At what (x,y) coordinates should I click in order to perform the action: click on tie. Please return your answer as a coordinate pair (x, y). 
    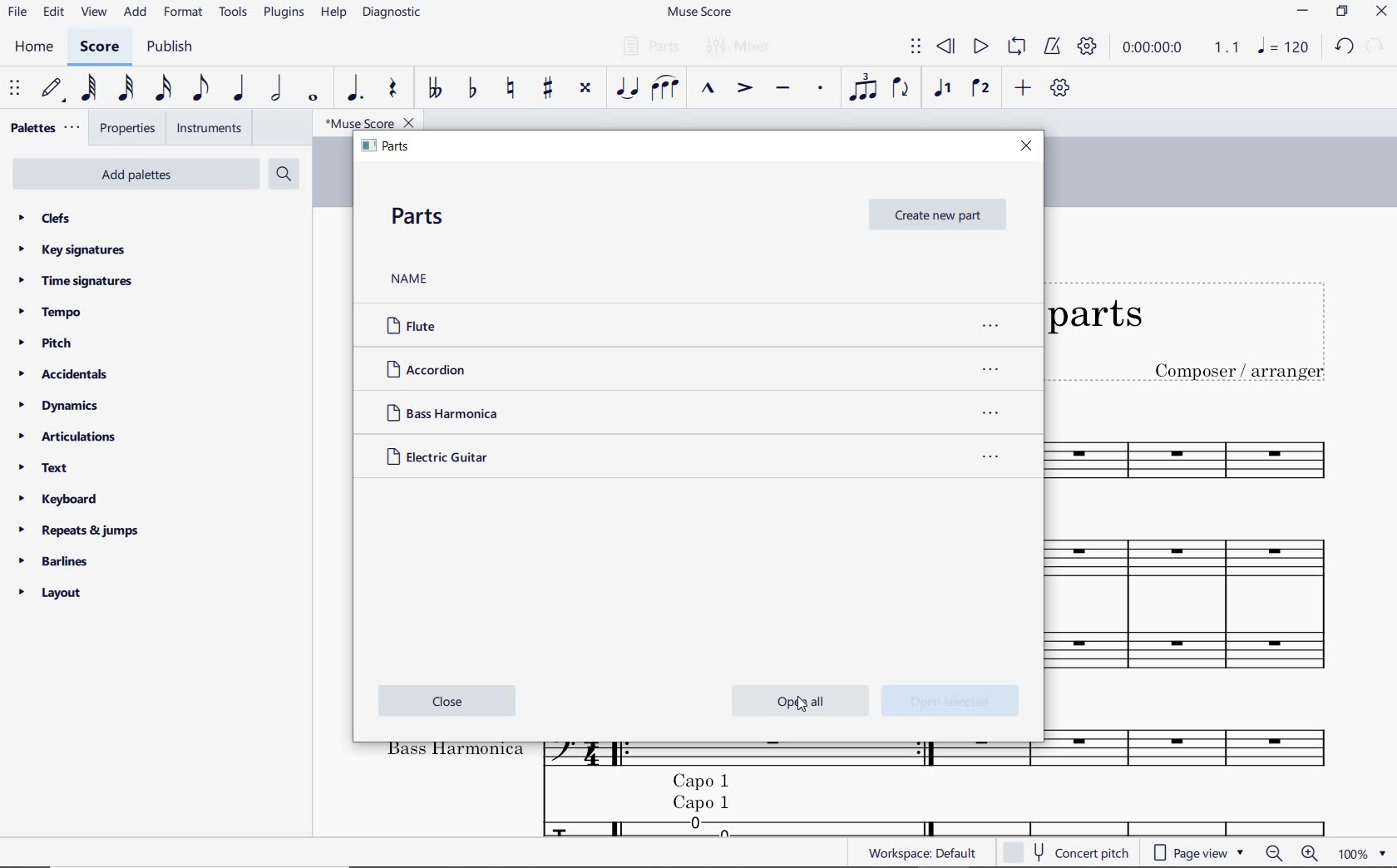
    Looking at the image, I should click on (627, 89).